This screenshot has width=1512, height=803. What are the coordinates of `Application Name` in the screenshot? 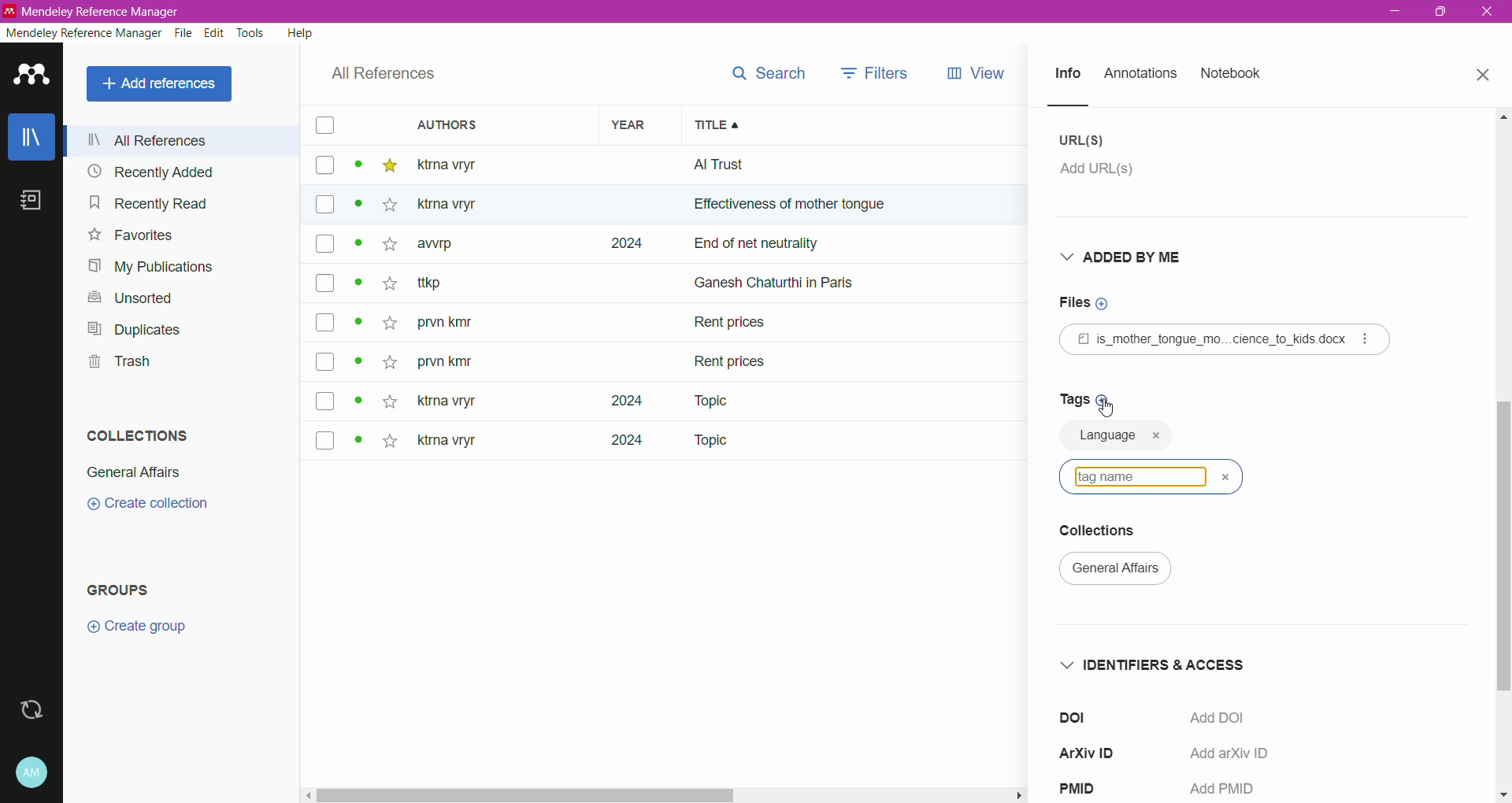 It's located at (107, 11).